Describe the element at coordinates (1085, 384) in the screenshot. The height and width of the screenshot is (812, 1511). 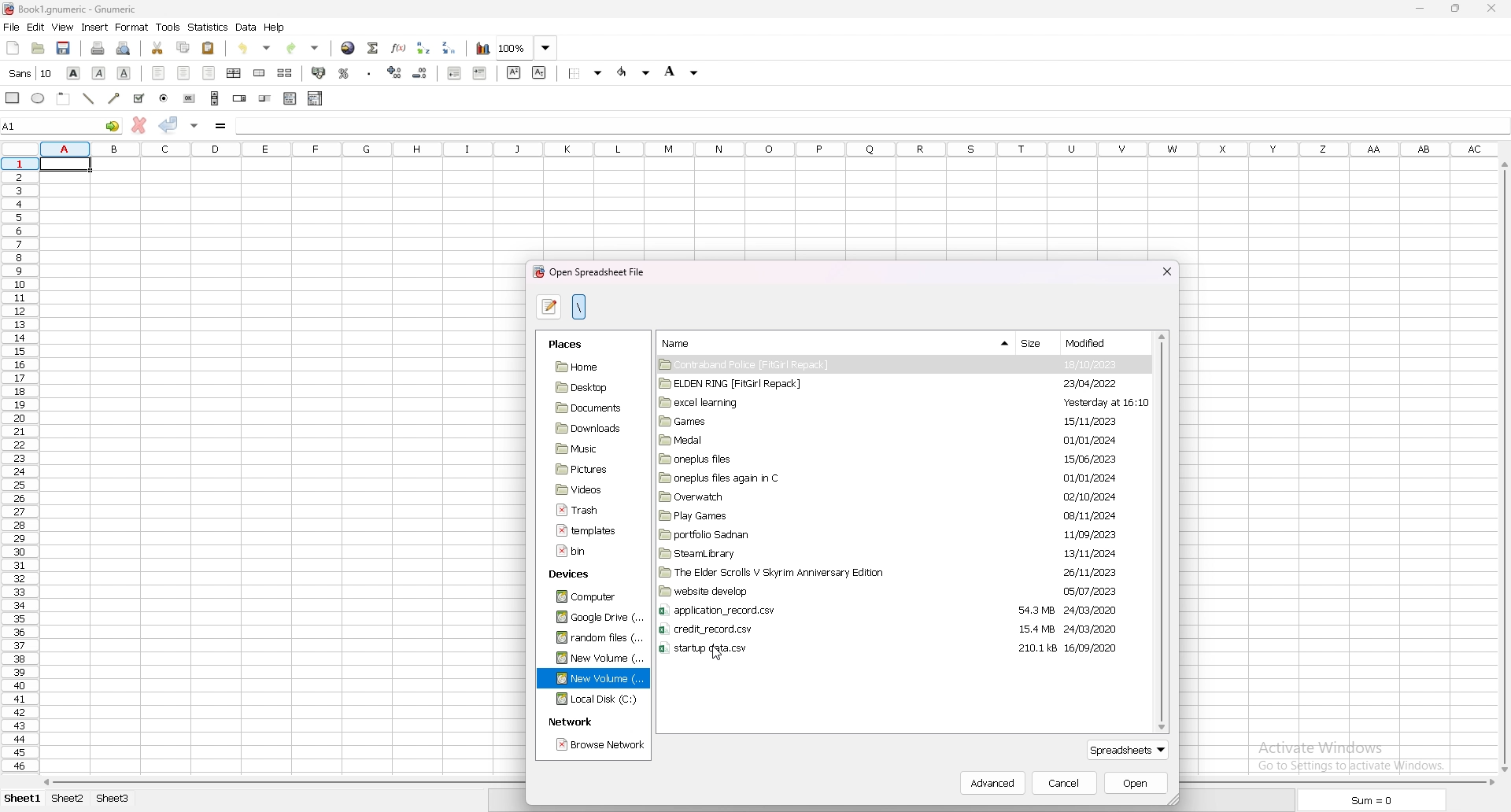
I see `23/04/2022` at that location.